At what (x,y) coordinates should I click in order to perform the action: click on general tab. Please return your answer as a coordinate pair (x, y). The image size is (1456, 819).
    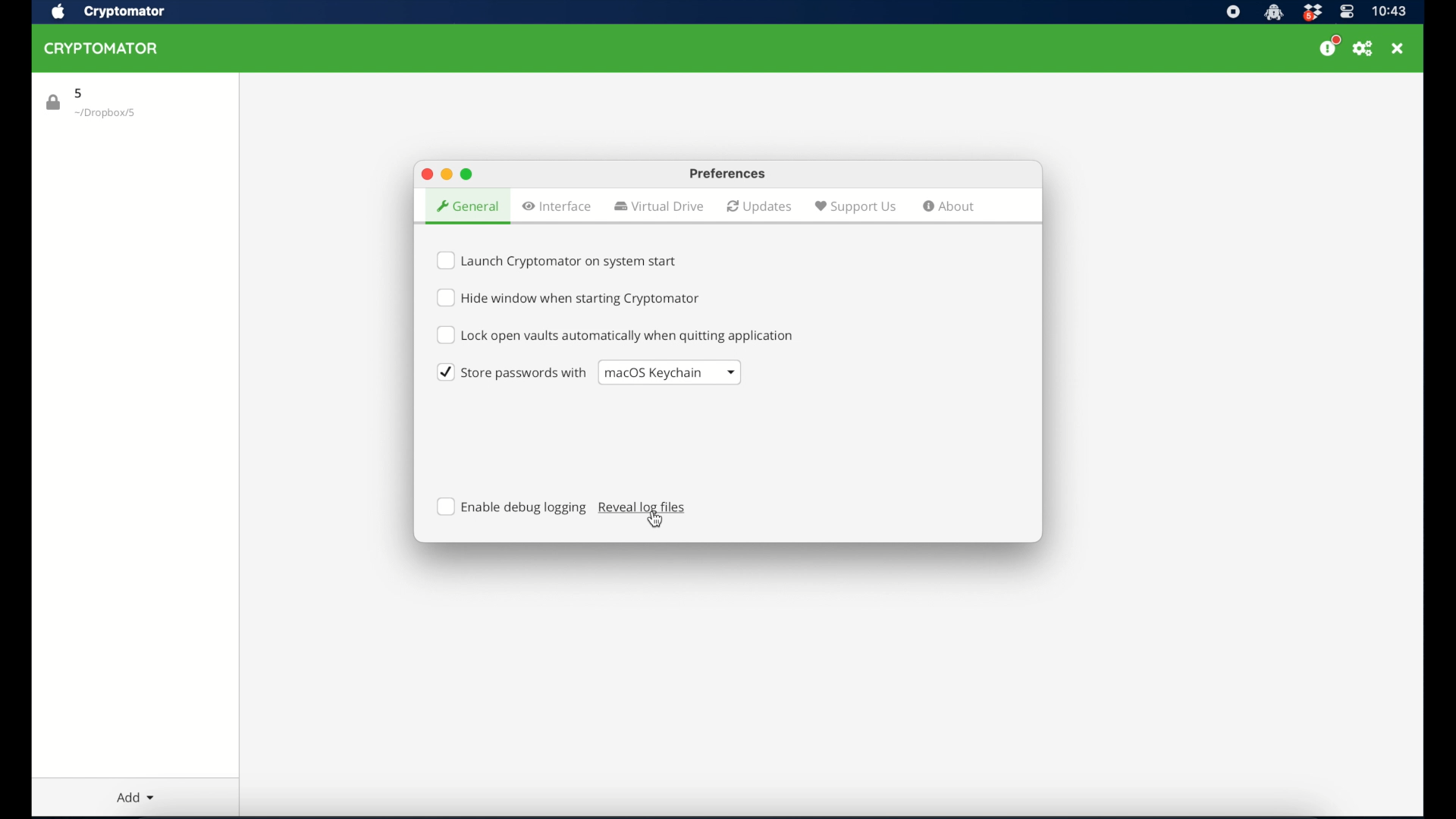
    Looking at the image, I should click on (469, 207).